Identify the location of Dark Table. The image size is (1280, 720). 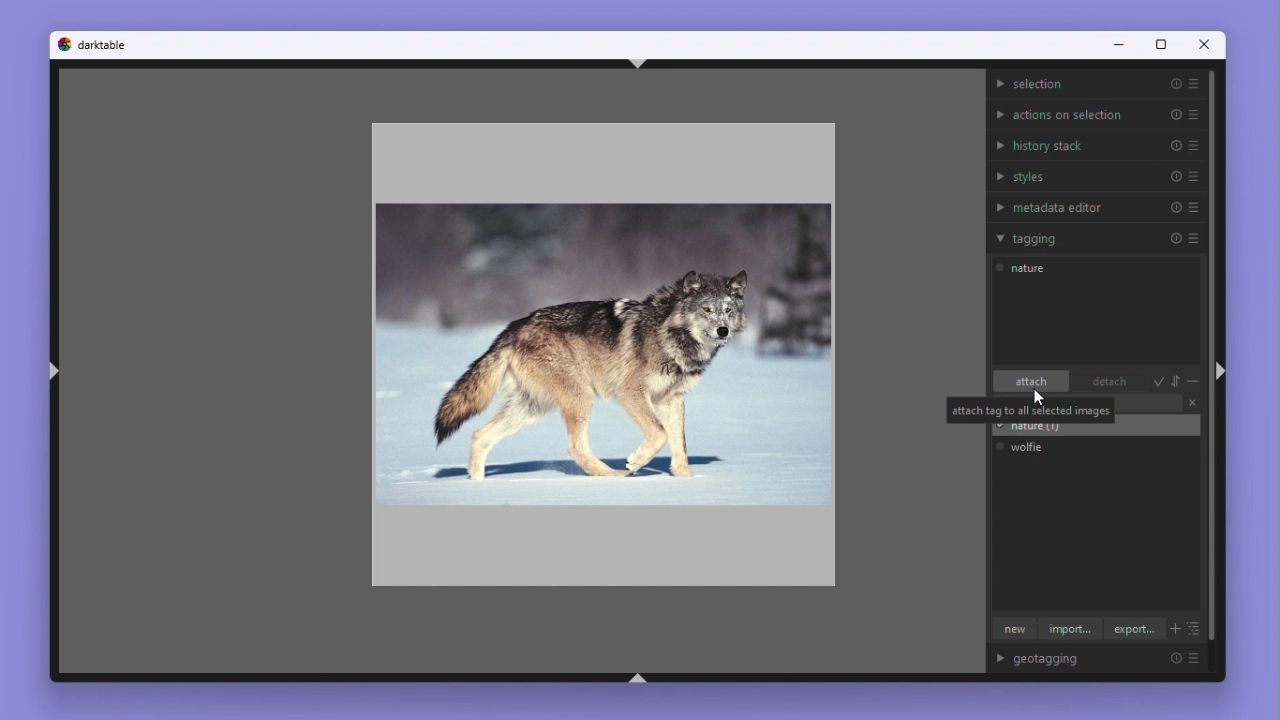
(104, 44).